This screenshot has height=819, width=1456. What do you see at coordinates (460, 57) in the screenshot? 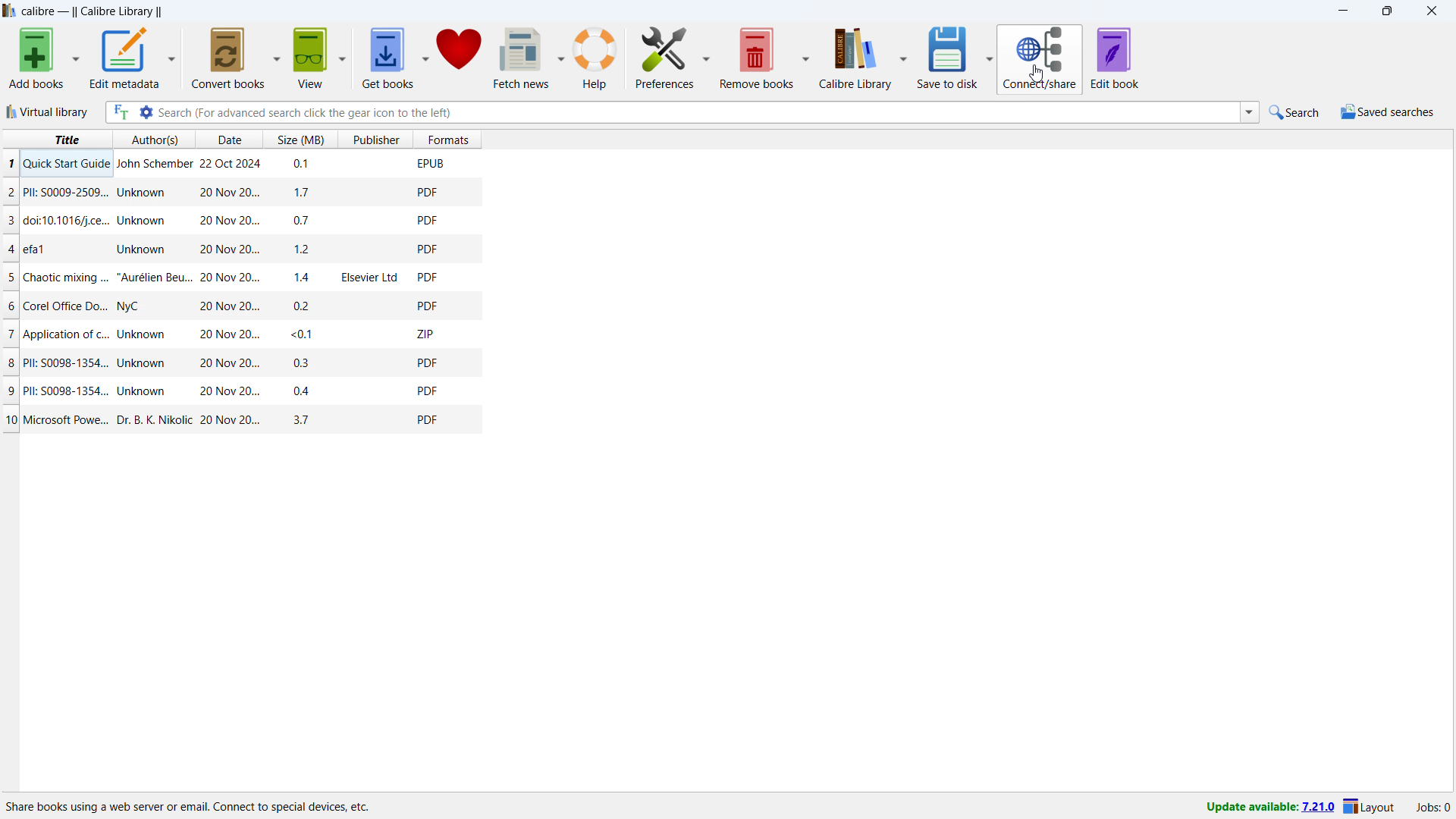
I see `donate to calibre` at bounding box center [460, 57].